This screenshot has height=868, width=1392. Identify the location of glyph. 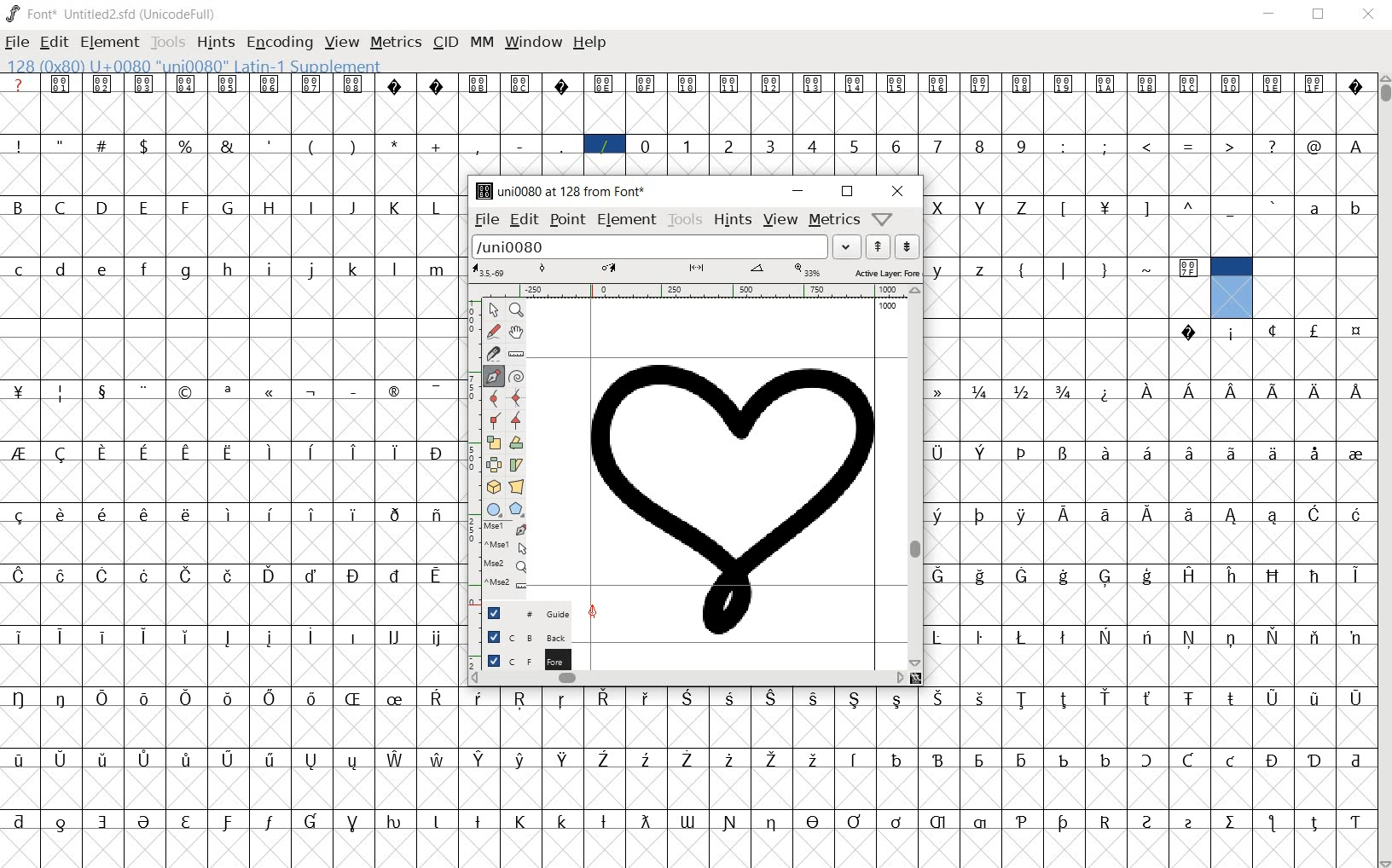
(143, 637).